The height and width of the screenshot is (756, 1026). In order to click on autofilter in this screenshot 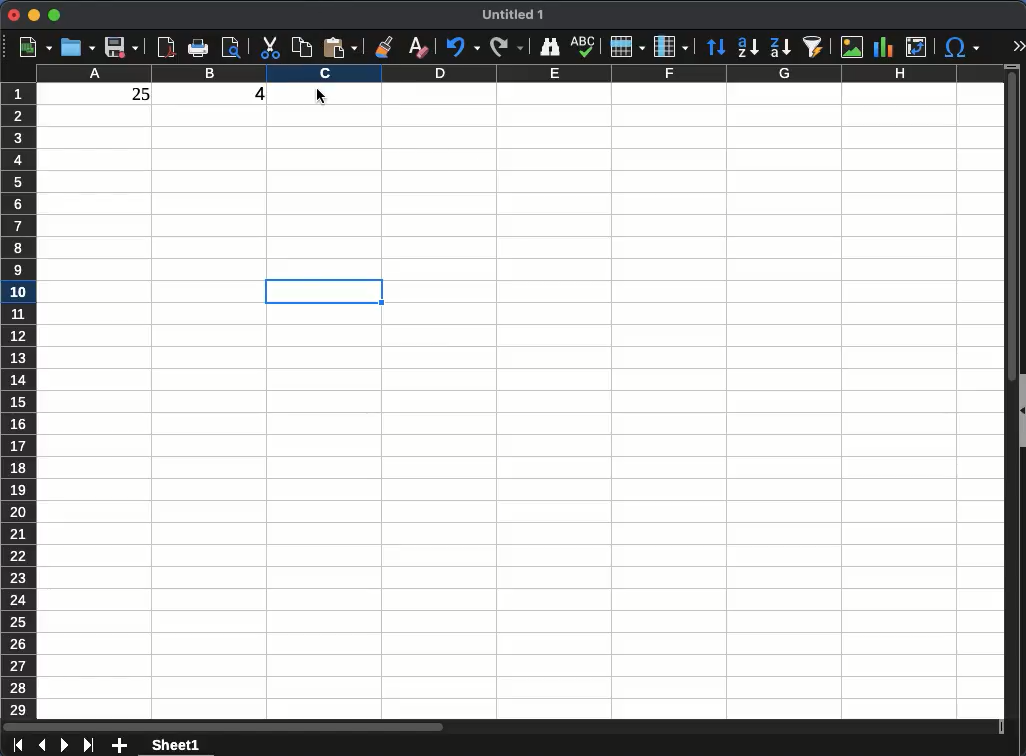, I will do `click(816, 47)`.